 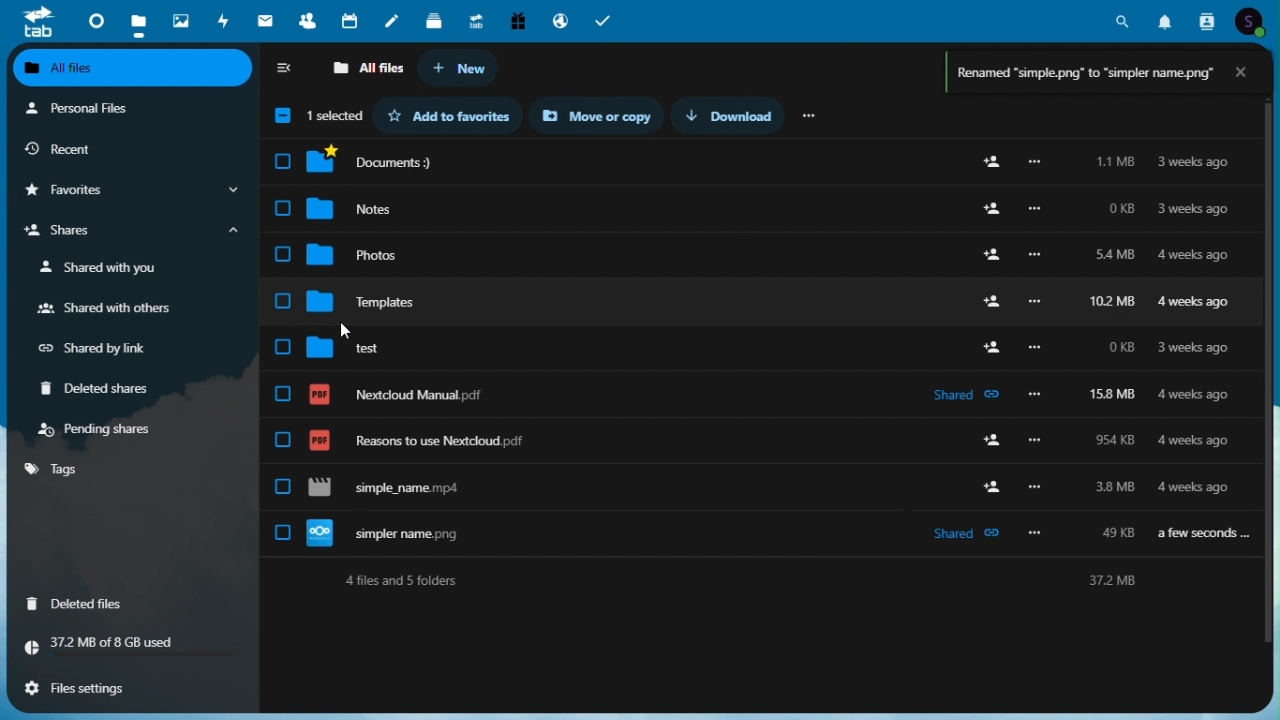 What do you see at coordinates (559, 20) in the screenshot?
I see `email hosting` at bounding box center [559, 20].